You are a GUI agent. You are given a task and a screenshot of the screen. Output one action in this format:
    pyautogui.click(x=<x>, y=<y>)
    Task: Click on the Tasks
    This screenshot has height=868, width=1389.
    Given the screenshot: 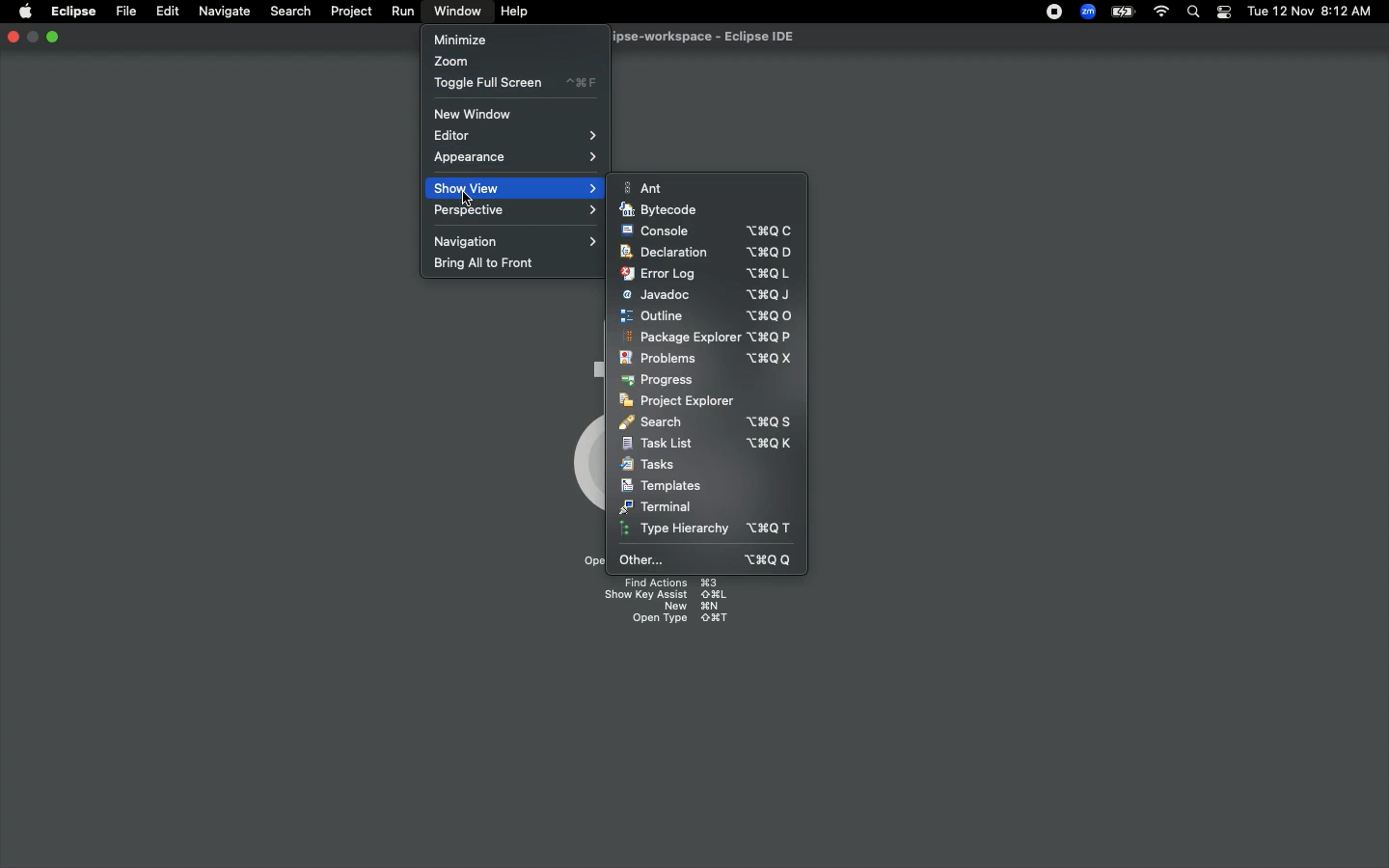 What is the action you would take?
    pyautogui.click(x=648, y=464)
    